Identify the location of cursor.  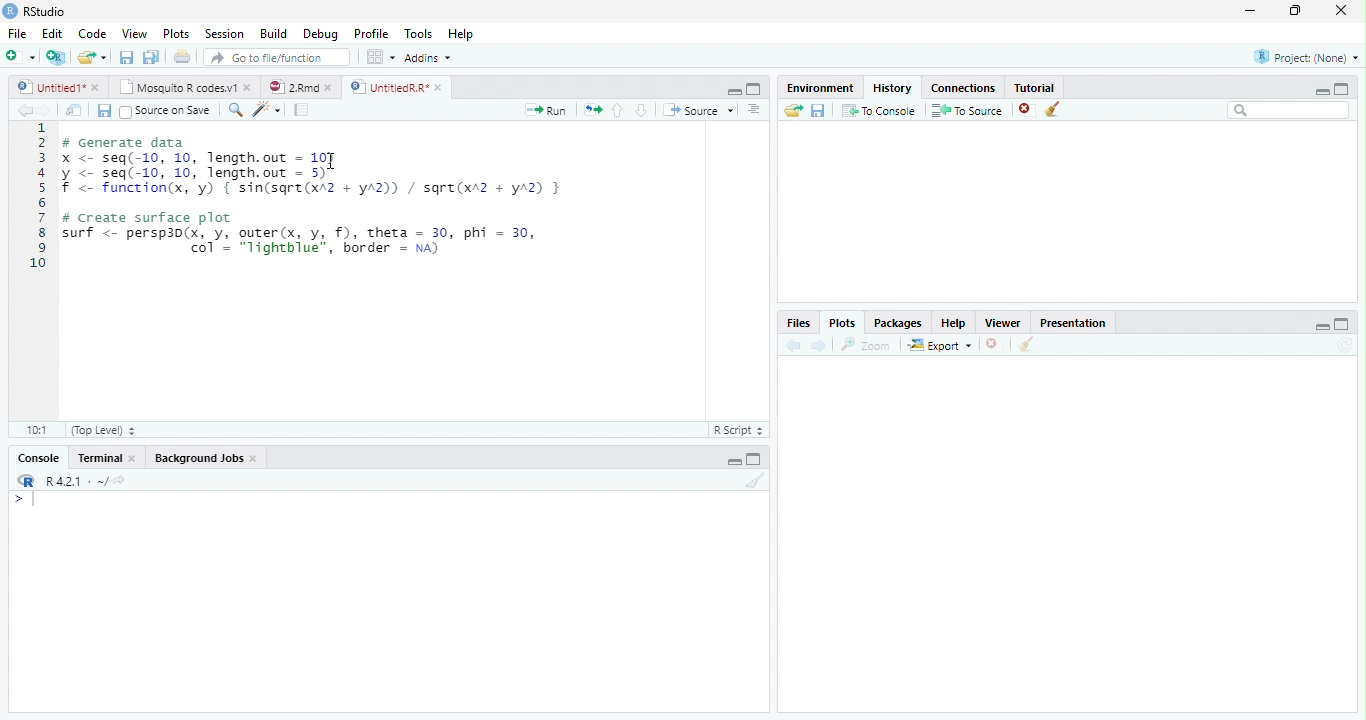
(330, 161).